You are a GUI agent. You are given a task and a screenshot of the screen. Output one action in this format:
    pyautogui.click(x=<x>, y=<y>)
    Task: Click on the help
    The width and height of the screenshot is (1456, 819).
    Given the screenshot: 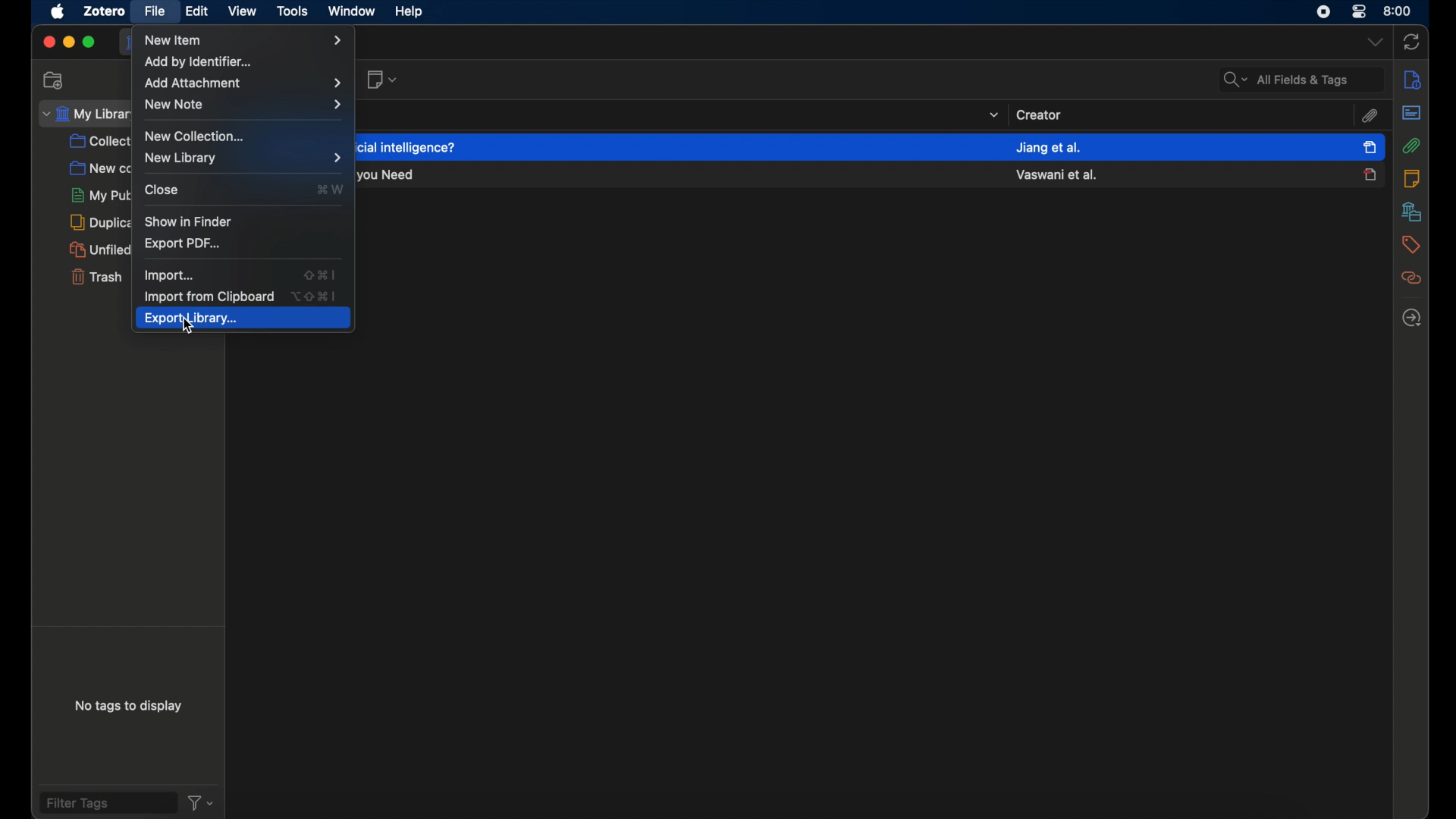 What is the action you would take?
    pyautogui.click(x=409, y=12)
    